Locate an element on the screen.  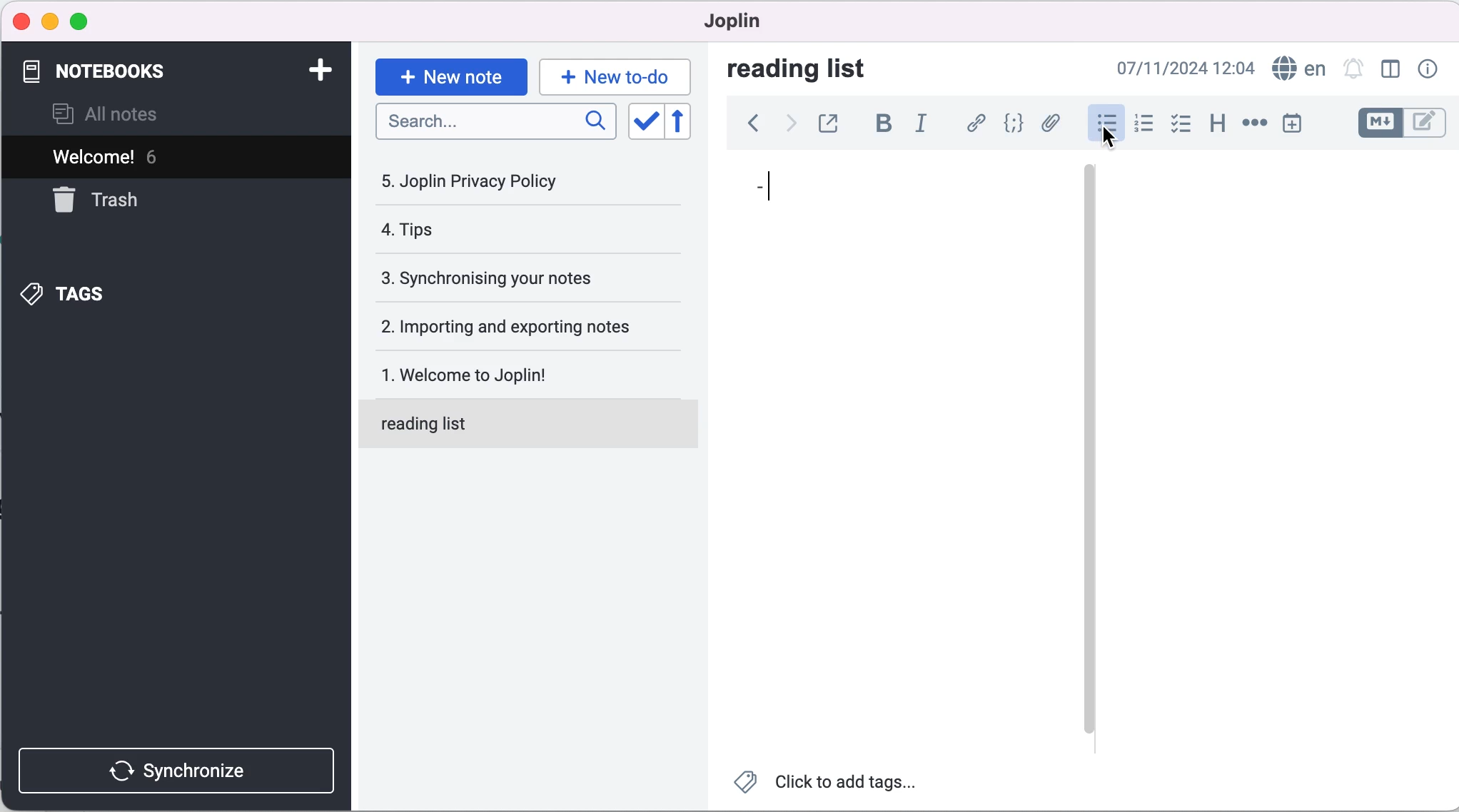
set alarm is located at coordinates (1353, 69).